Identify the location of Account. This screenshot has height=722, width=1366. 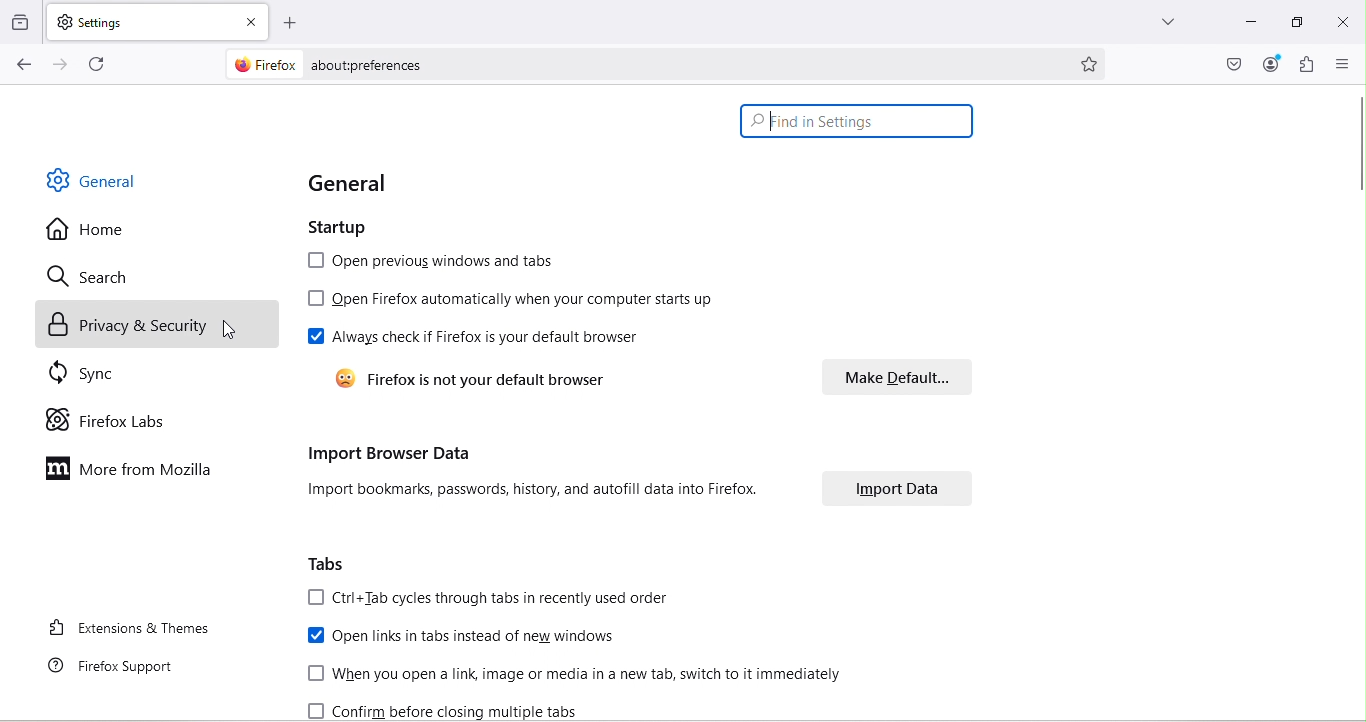
(1272, 65).